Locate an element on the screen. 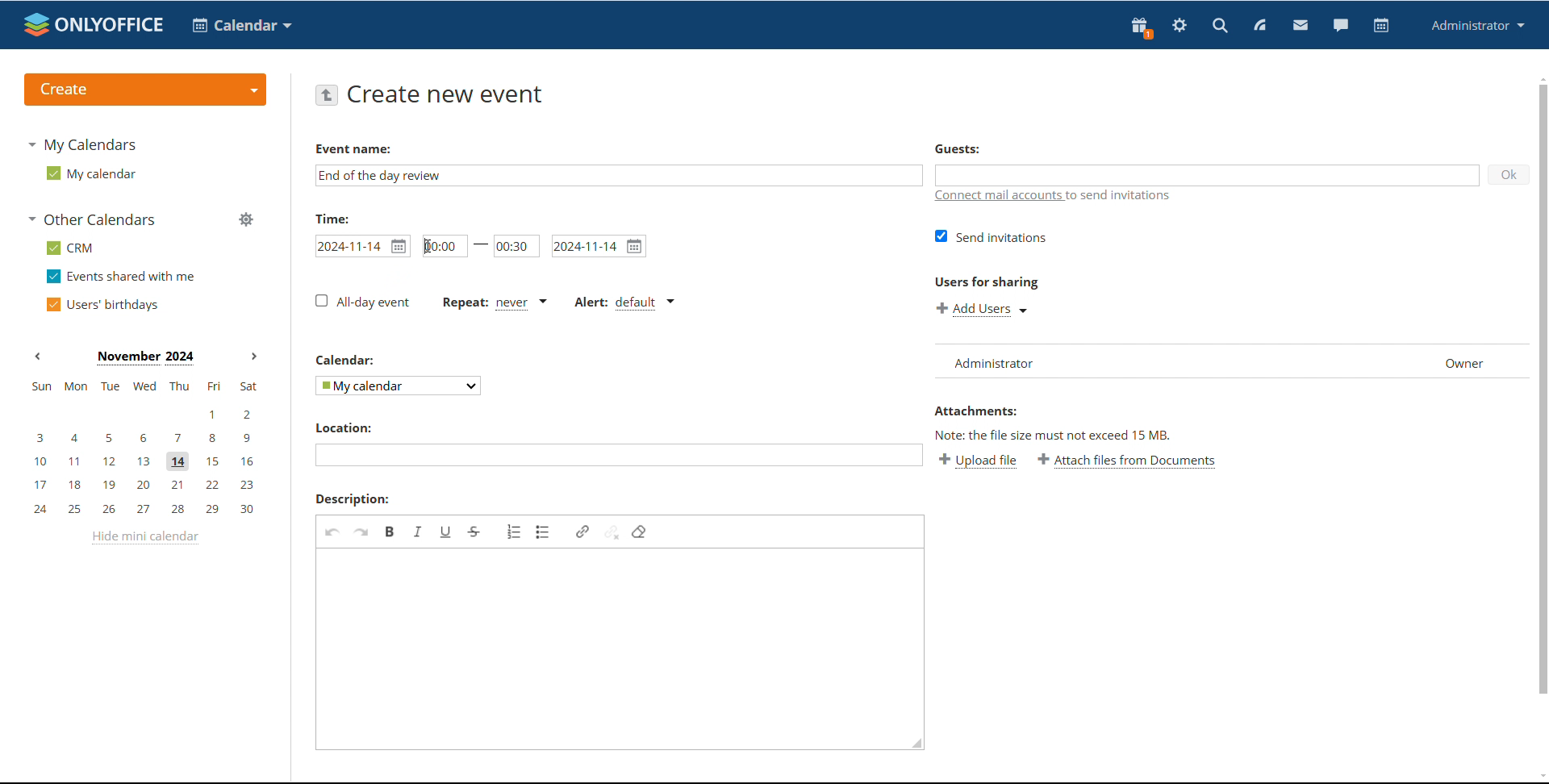 This screenshot has width=1549, height=784. set end date is located at coordinates (599, 246).